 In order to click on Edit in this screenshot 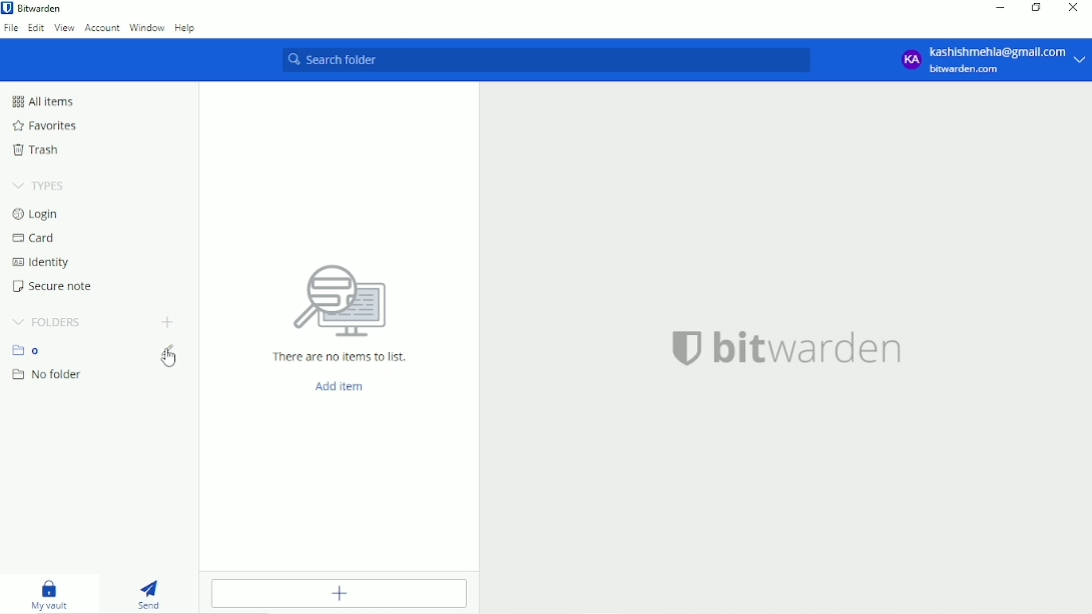, I will do `click(37, 27)`.